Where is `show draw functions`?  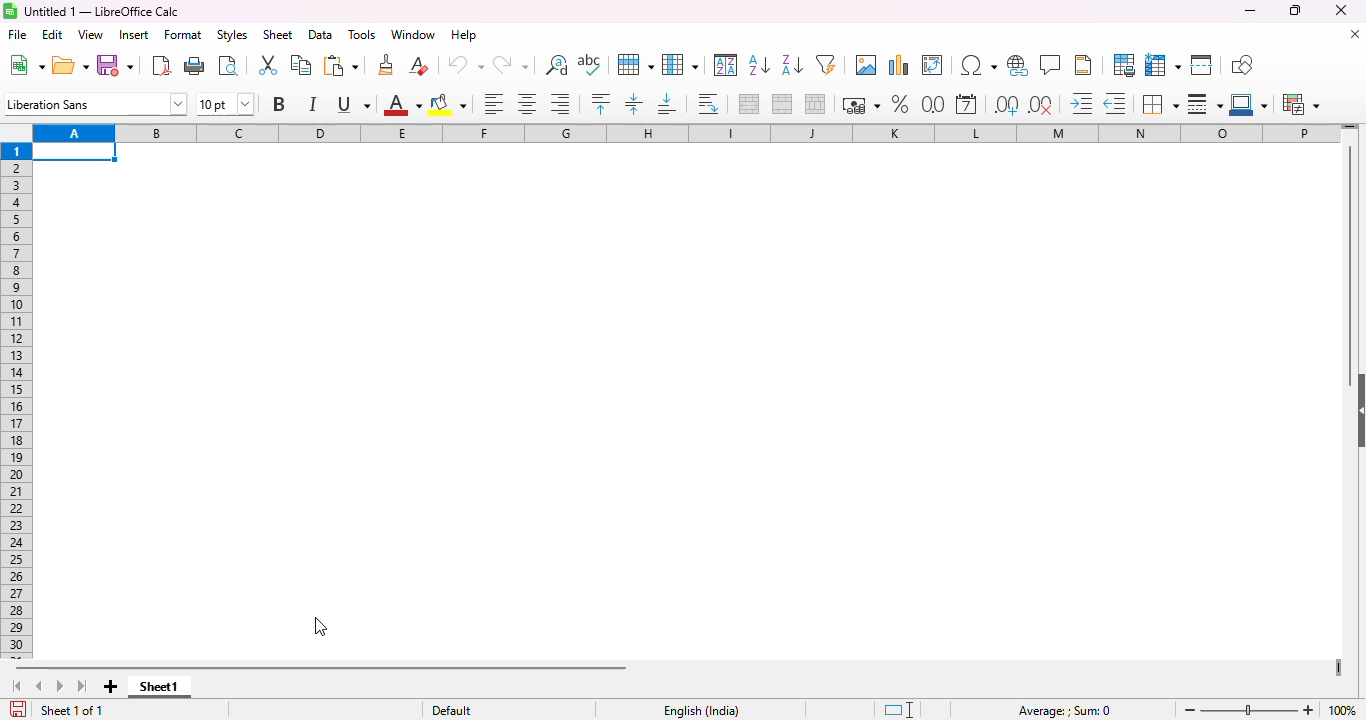
show draw functions is located at coordinates (1242, 65).